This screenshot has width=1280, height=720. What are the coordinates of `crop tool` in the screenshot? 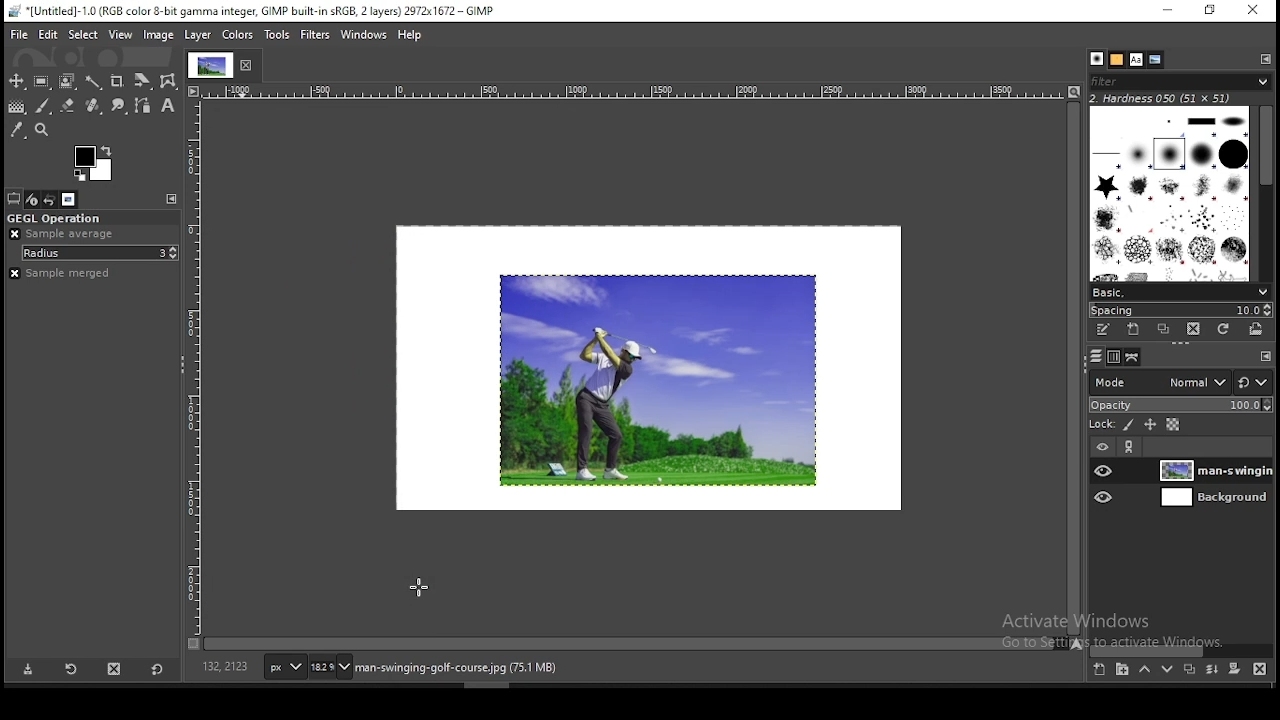 It's located at (143, 82).